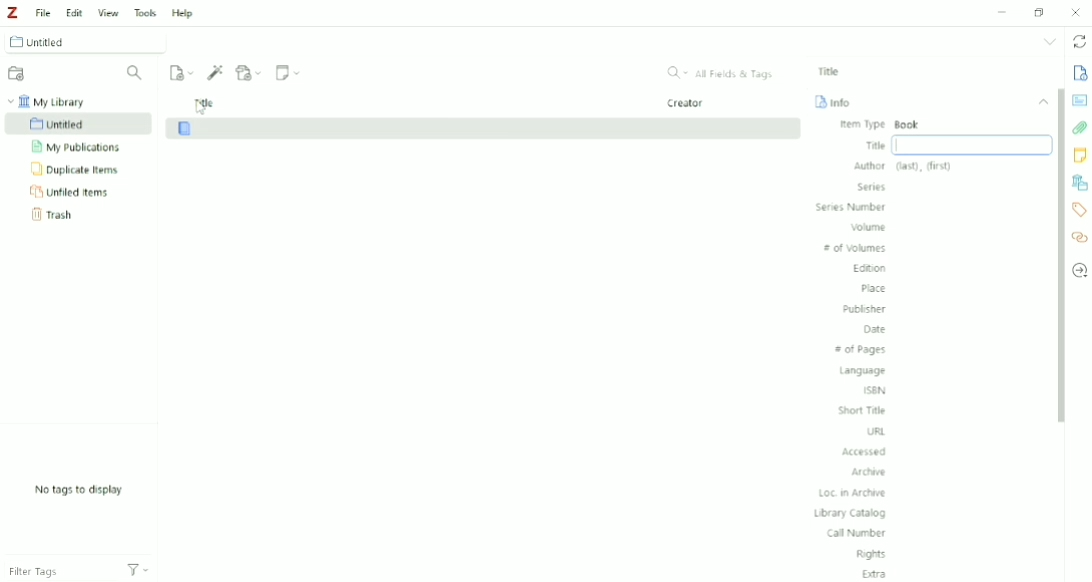 This screenshot has height=582, width=1092. I want to click on Attachments, so click(1080, 128).